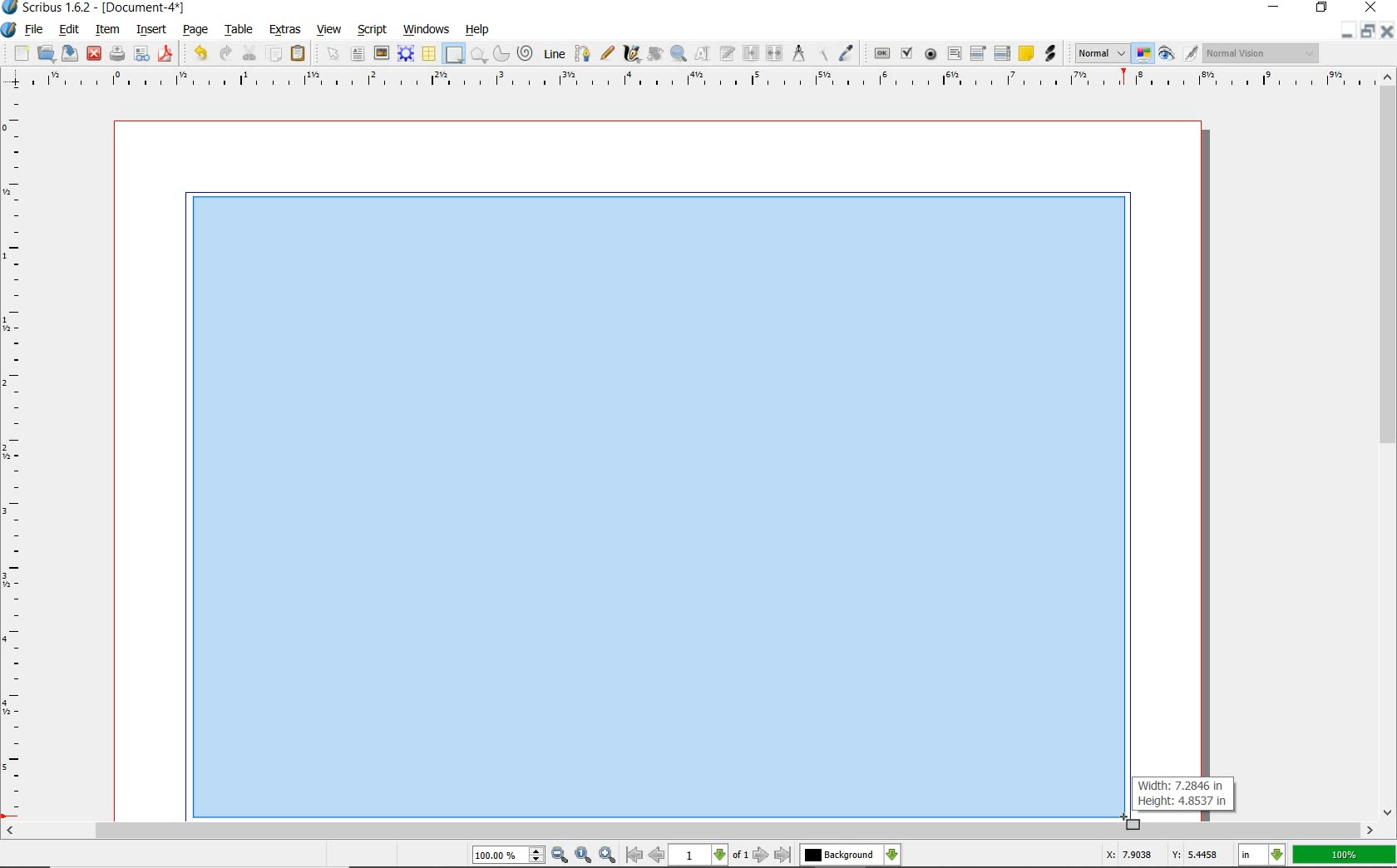 This screenshot has width=1397, height=868. What do you see at coordinates (584, 52) in the screenshot?
I see `Bezier curve` at bounding box center [584, 52].